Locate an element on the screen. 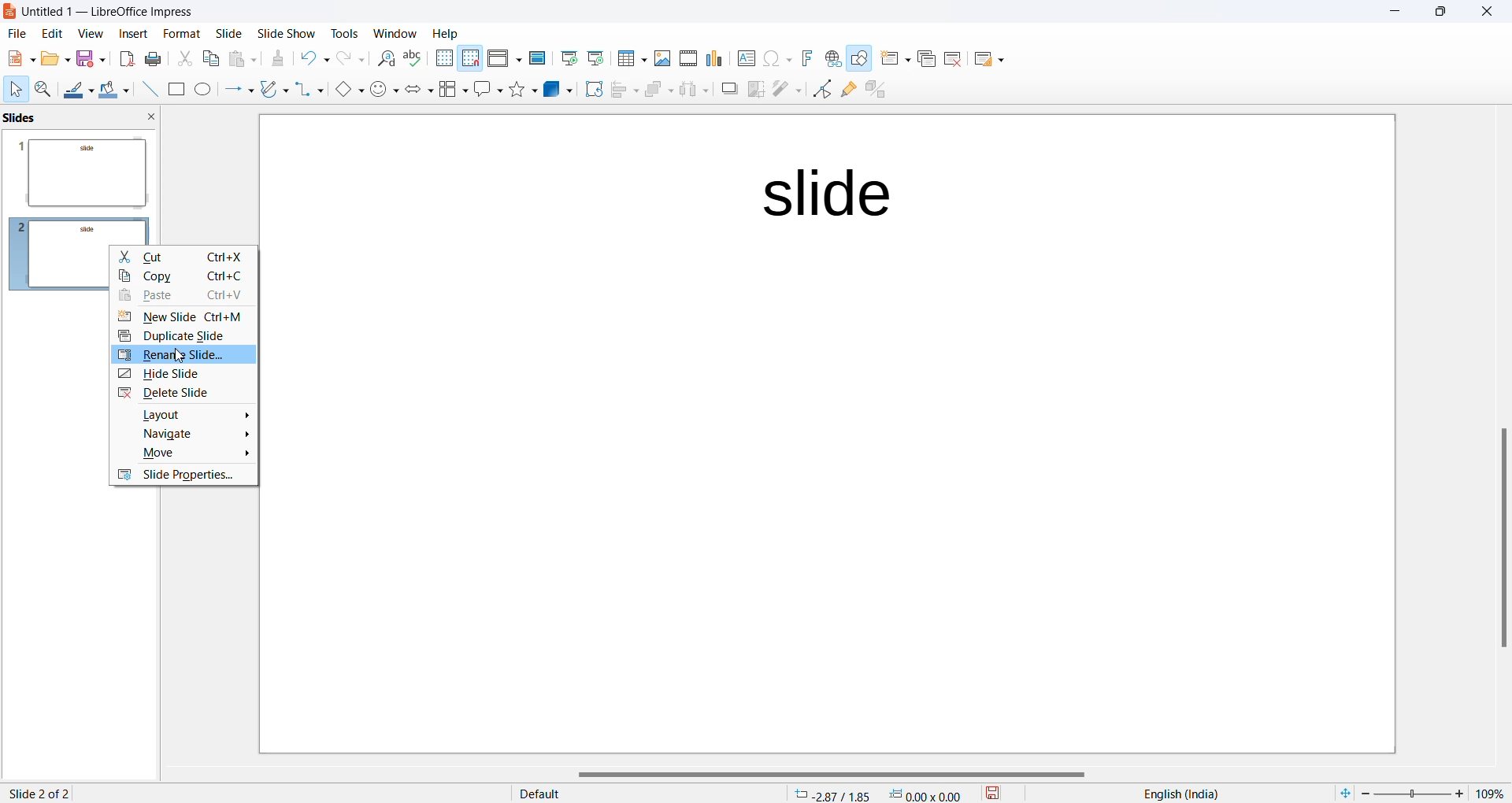  INSERT Special characters is located at coordinates (774, 58).